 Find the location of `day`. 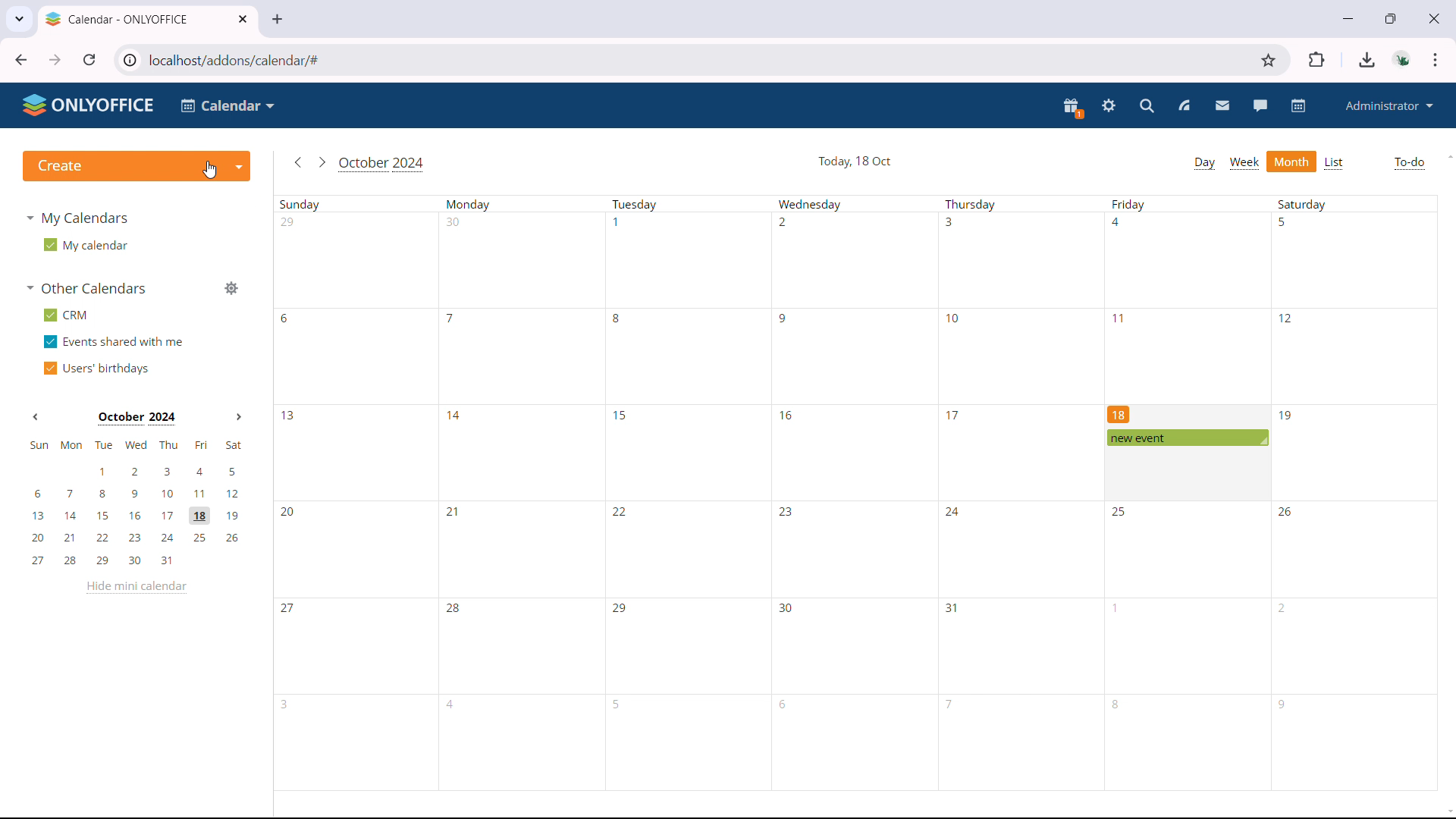

day is located at coordinates (1204, 163).